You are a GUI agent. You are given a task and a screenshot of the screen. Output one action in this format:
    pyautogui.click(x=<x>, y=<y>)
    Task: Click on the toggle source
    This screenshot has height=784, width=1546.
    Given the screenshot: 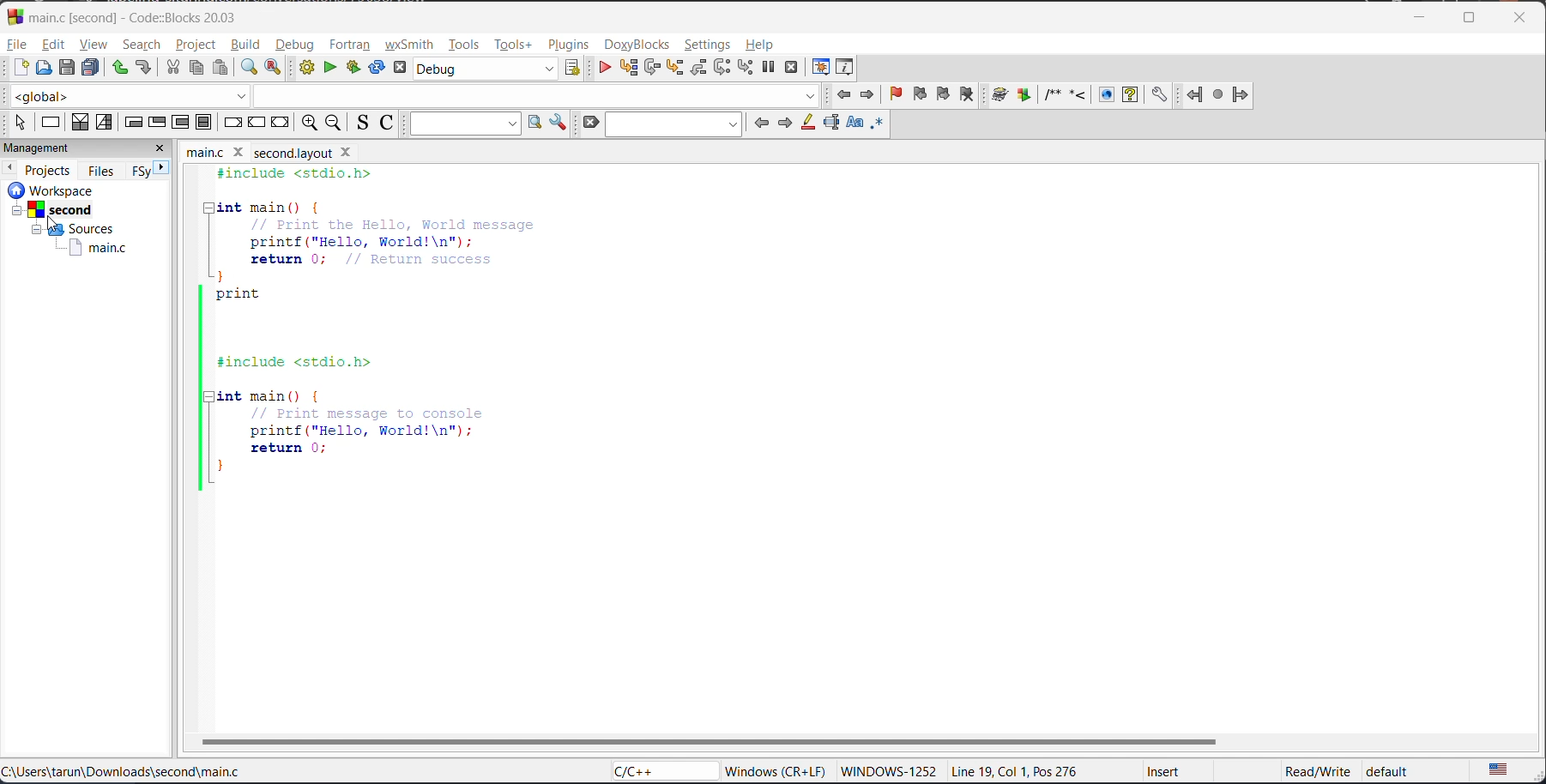 What is the action you would take?
    pyautogui.click(x=365, y=122)
    